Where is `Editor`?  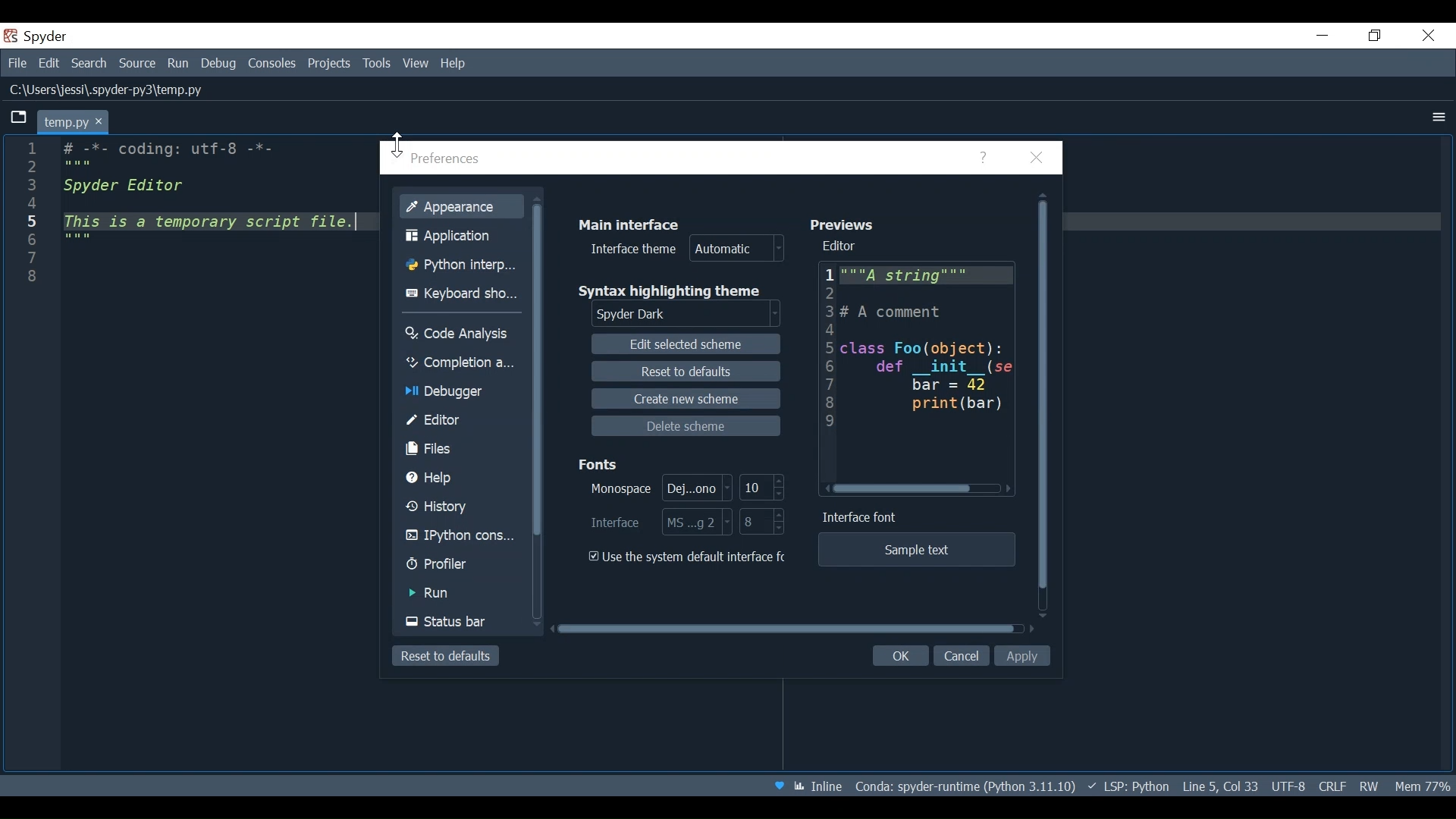
Editor is located at coordinates (462, 421).